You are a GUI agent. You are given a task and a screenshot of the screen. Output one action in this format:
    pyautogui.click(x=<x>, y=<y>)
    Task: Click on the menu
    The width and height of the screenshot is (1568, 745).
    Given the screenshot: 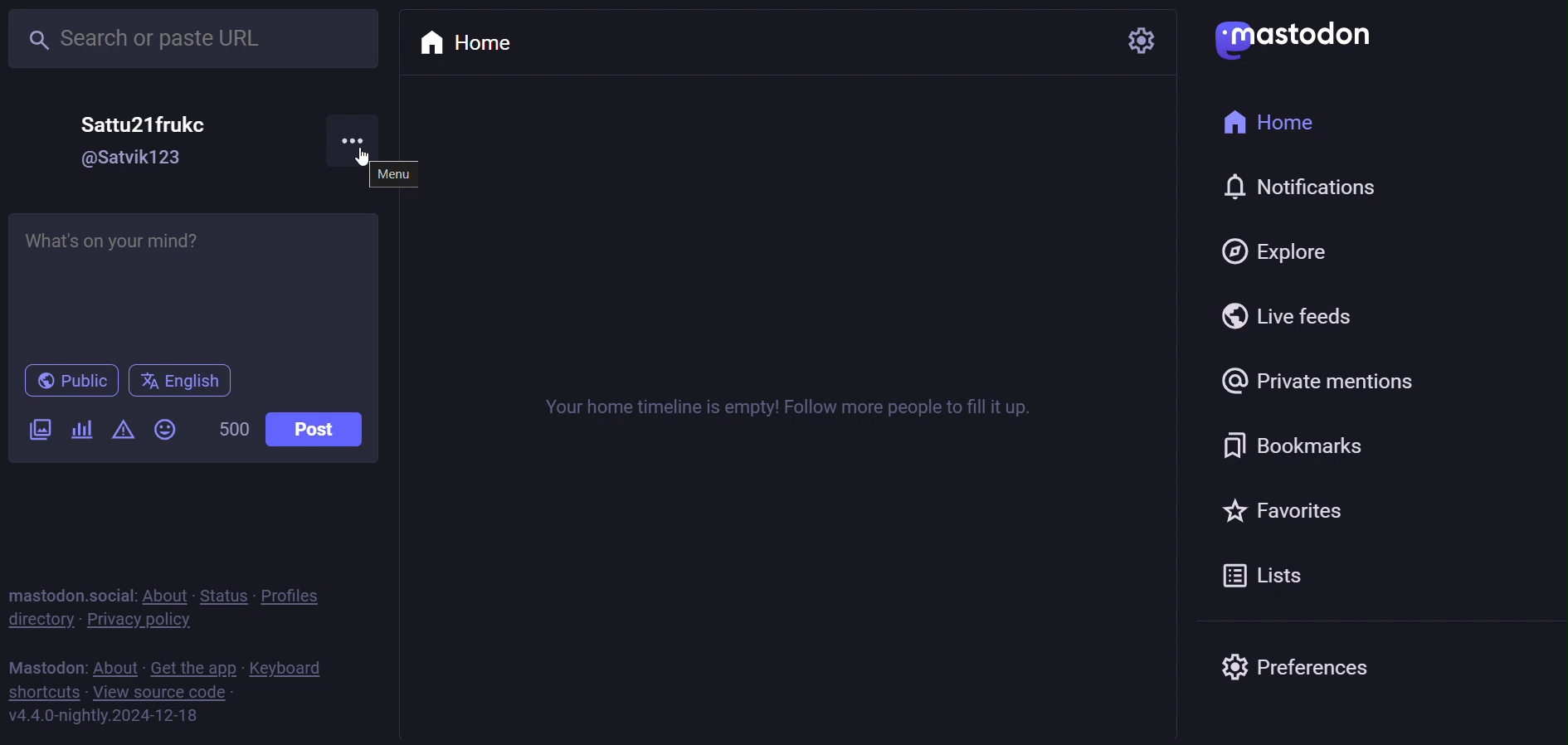 What is the action you would take?
    pyautogui.click(x=364, y=134)
    